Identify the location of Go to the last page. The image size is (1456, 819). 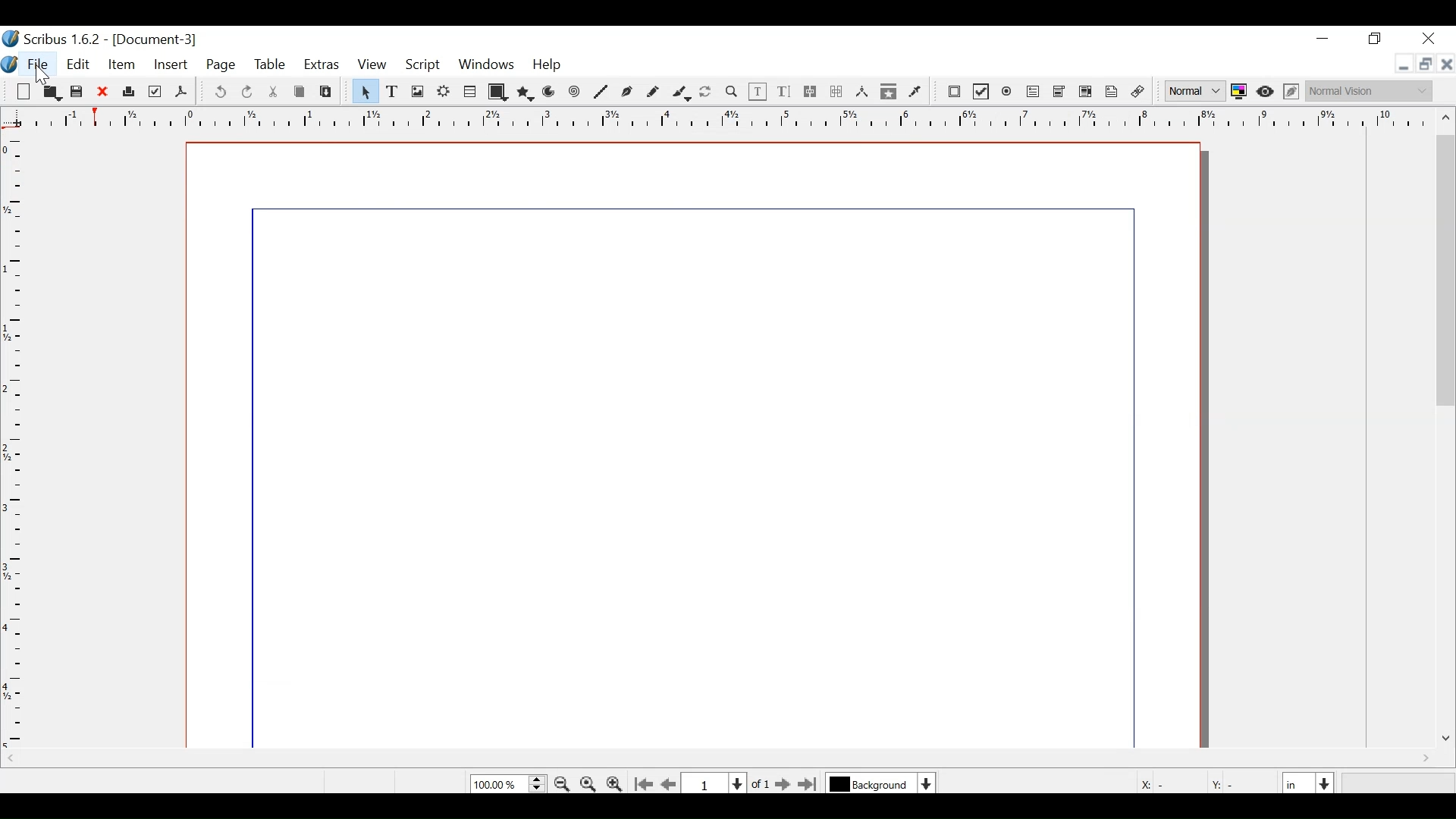
(809, 784).